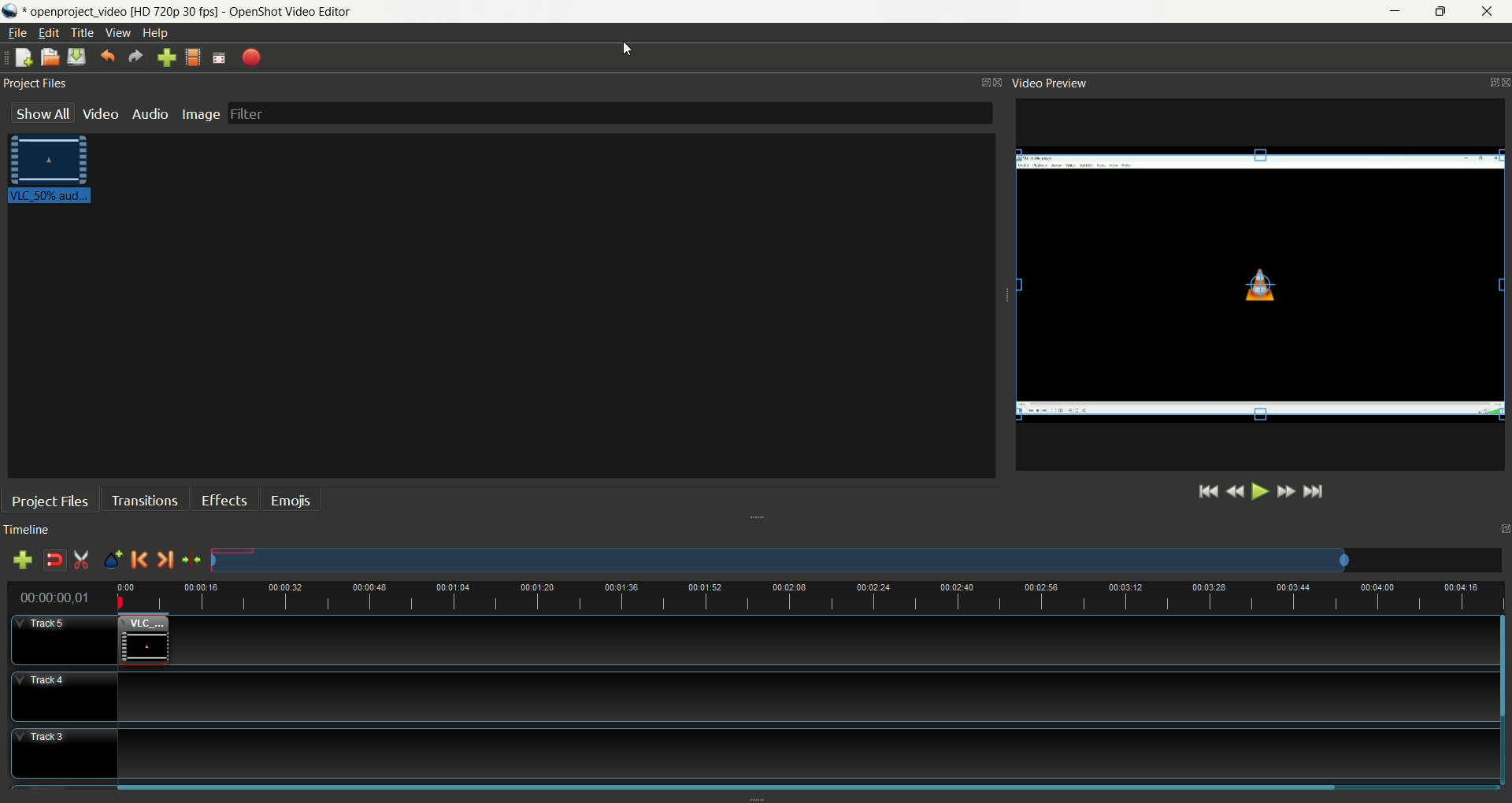 Image resolution: width=1512 pixels, height=803 pixels. I want to click on zoom factor, so click(810, 596).